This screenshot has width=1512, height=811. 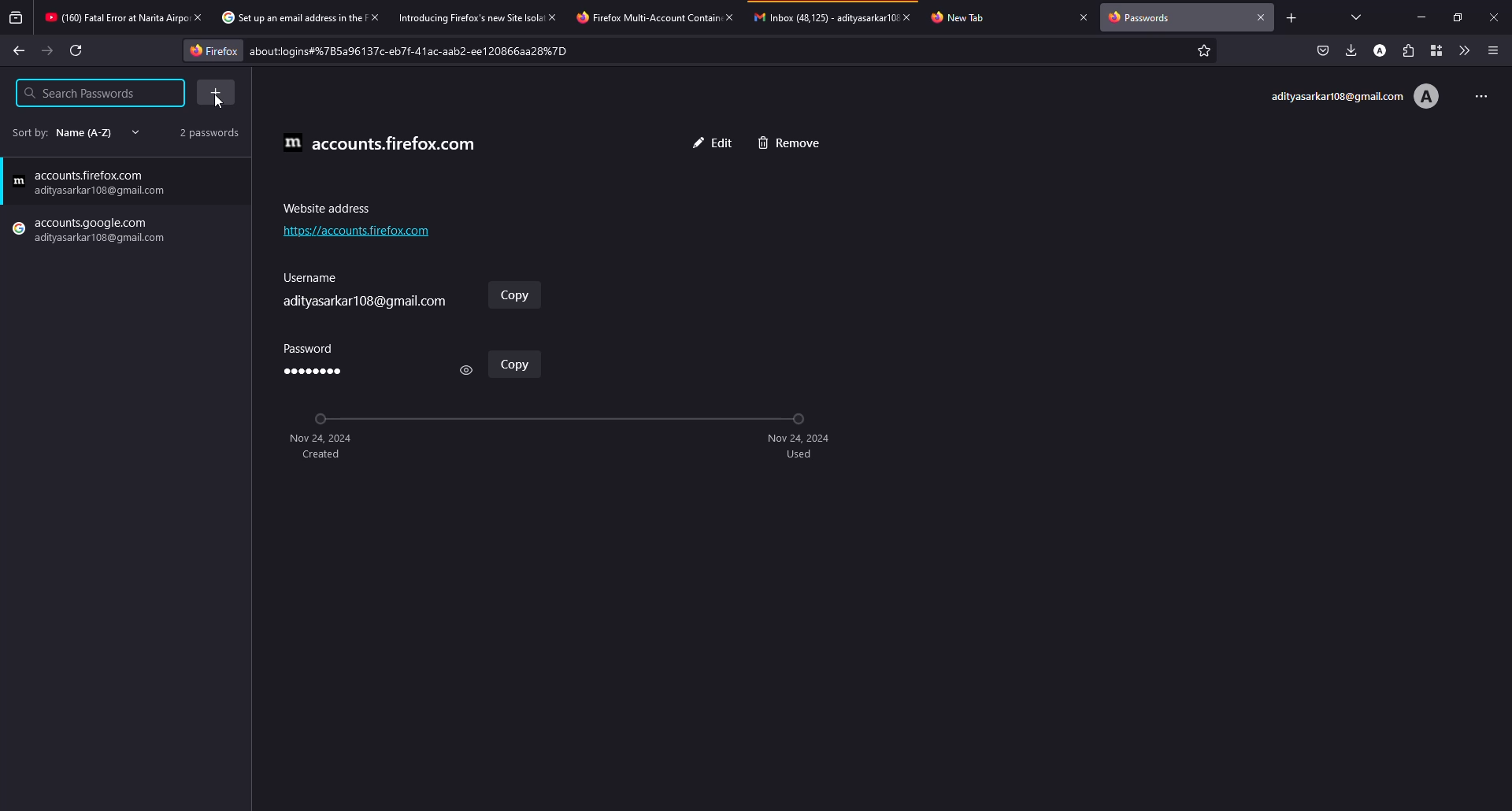 What do you see at coordinates (317, 373) in the screenshot?
I see `password` at bounding box center [317, 373].